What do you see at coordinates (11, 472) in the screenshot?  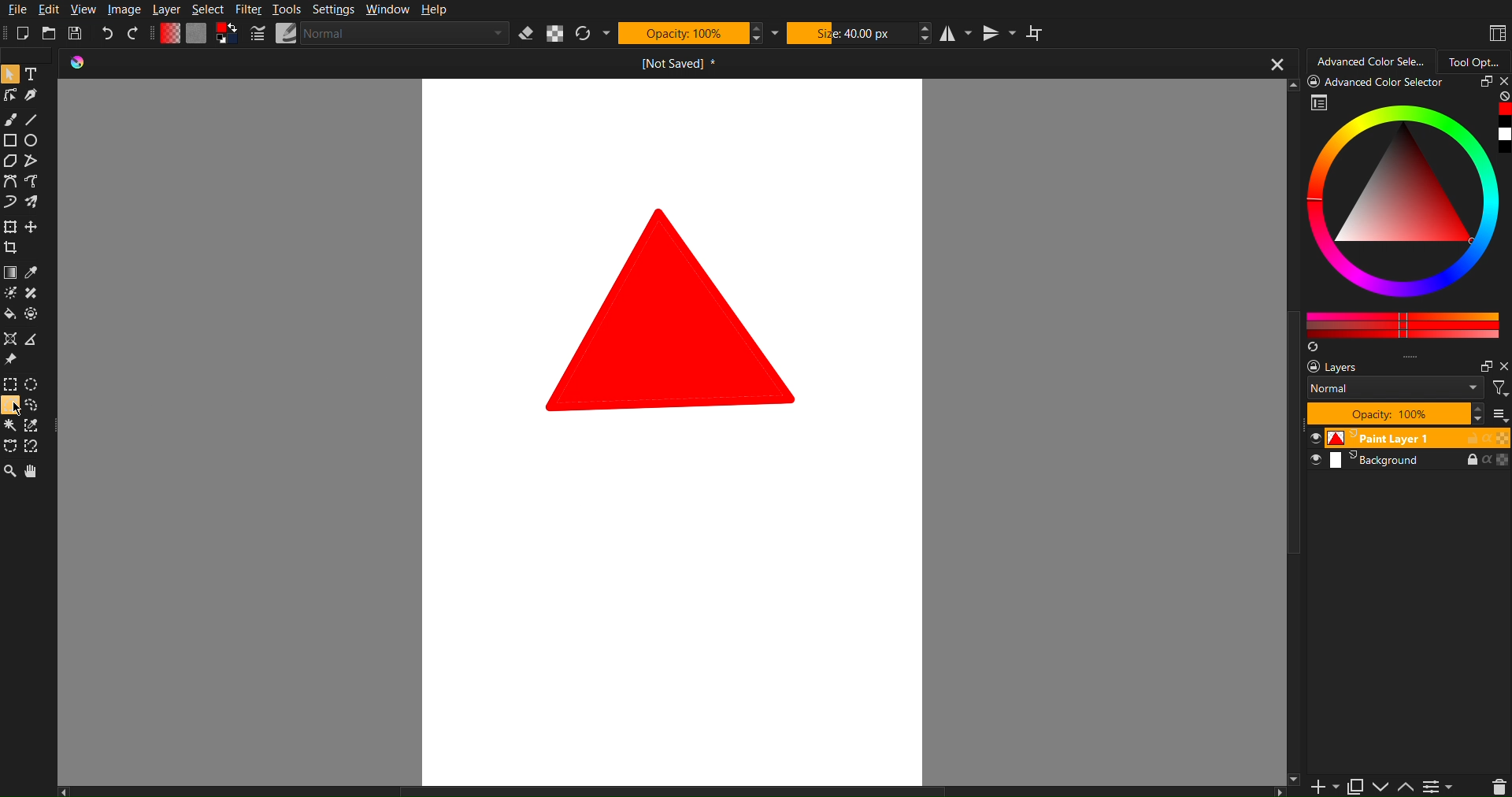 I see `Zoom` at bounding box center [11, 472].